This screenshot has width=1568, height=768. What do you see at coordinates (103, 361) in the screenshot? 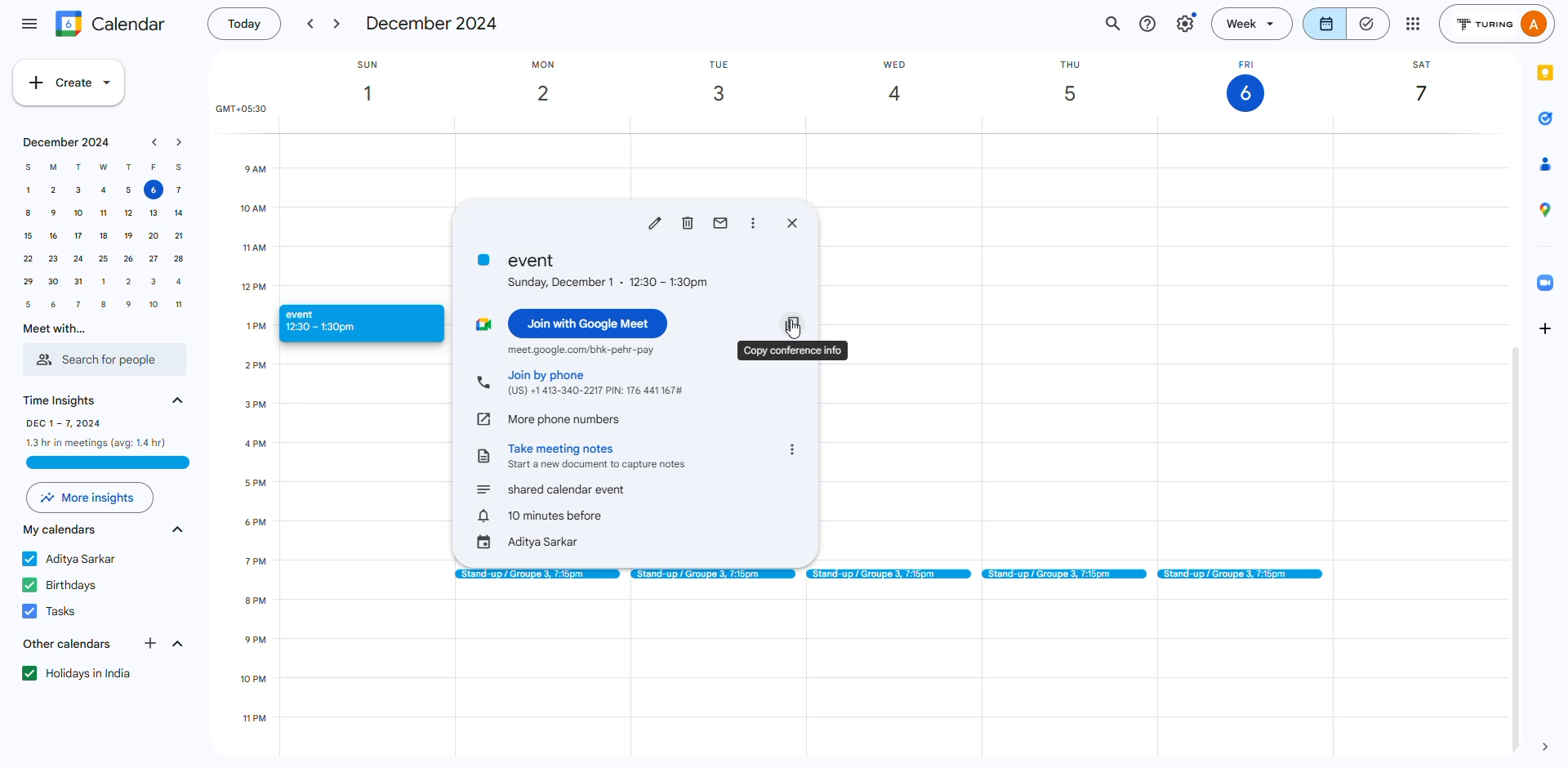
I see `search` at bounding box center [103, 361].